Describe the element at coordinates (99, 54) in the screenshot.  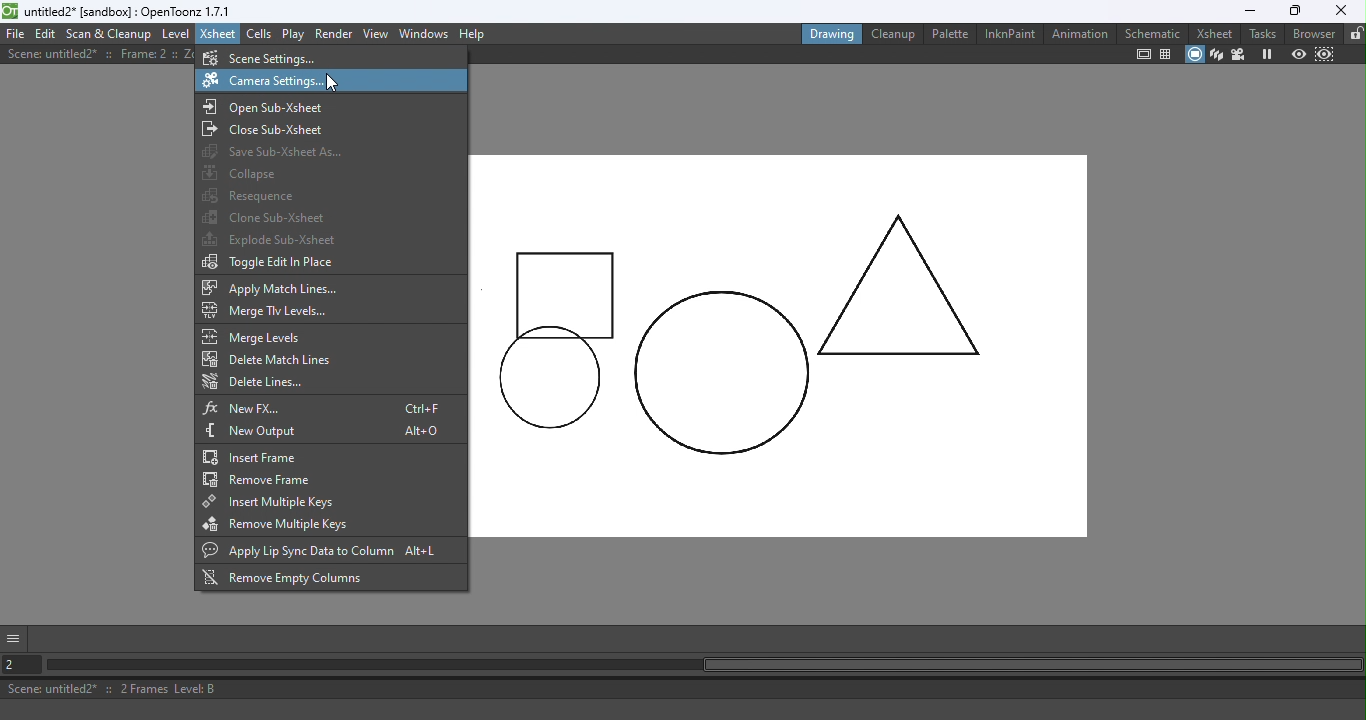
I see `Scene: untitled2* : Frame: 2 i: Z` at that location.